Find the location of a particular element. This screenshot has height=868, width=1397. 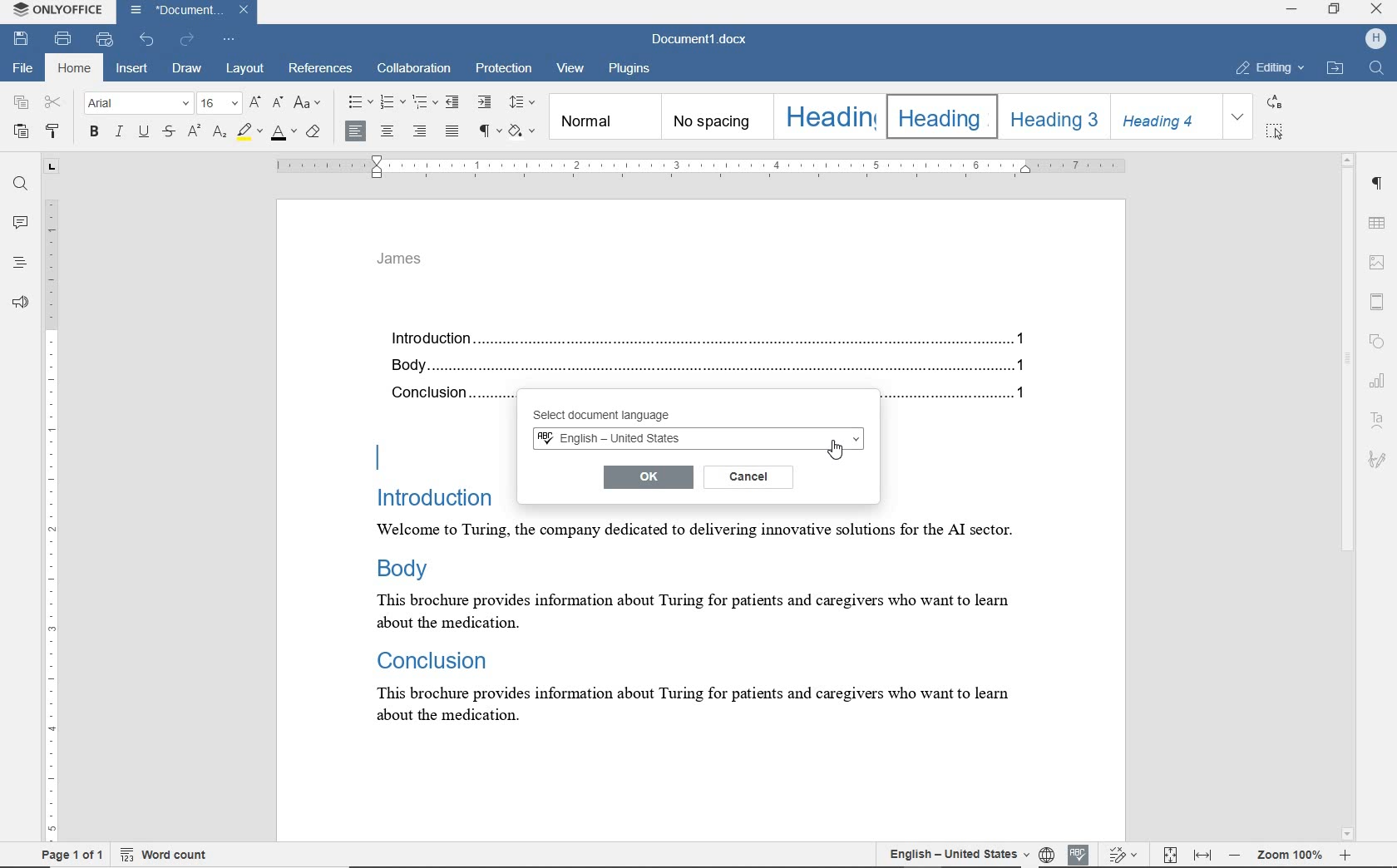

multilevel list is located at coordinates (423, 101).